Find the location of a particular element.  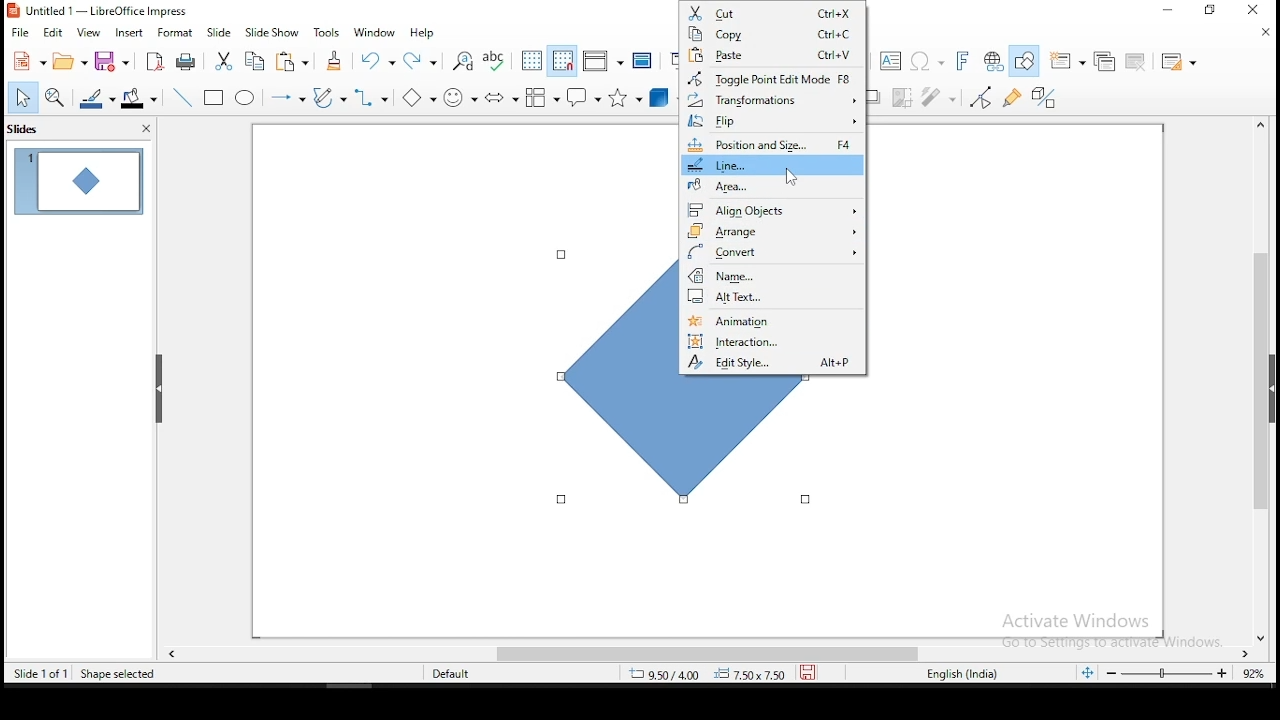

transformations is located at coordinates (772, 100).